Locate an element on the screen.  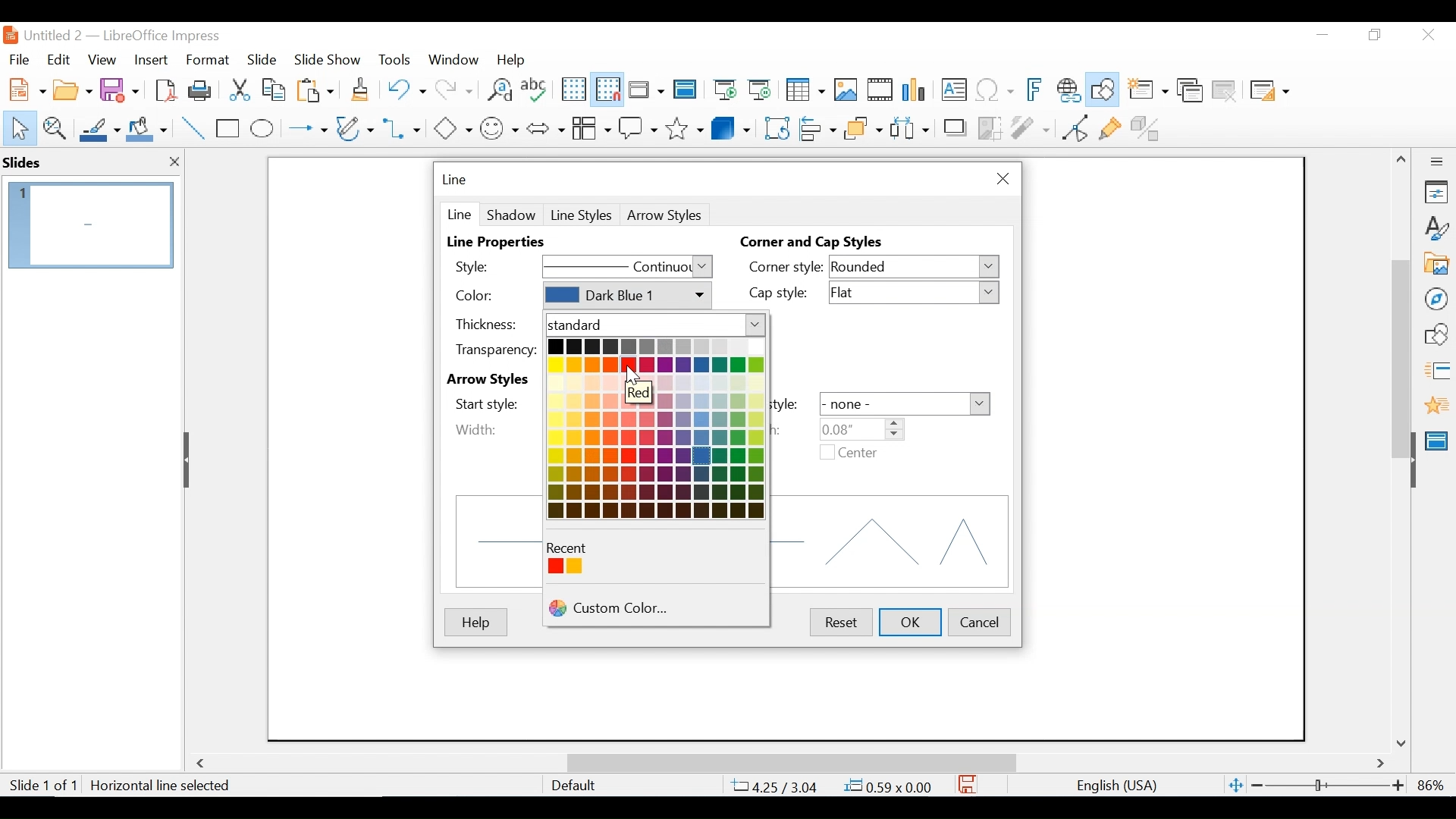
Dark blue 1 is located at coordinates (626, 296).